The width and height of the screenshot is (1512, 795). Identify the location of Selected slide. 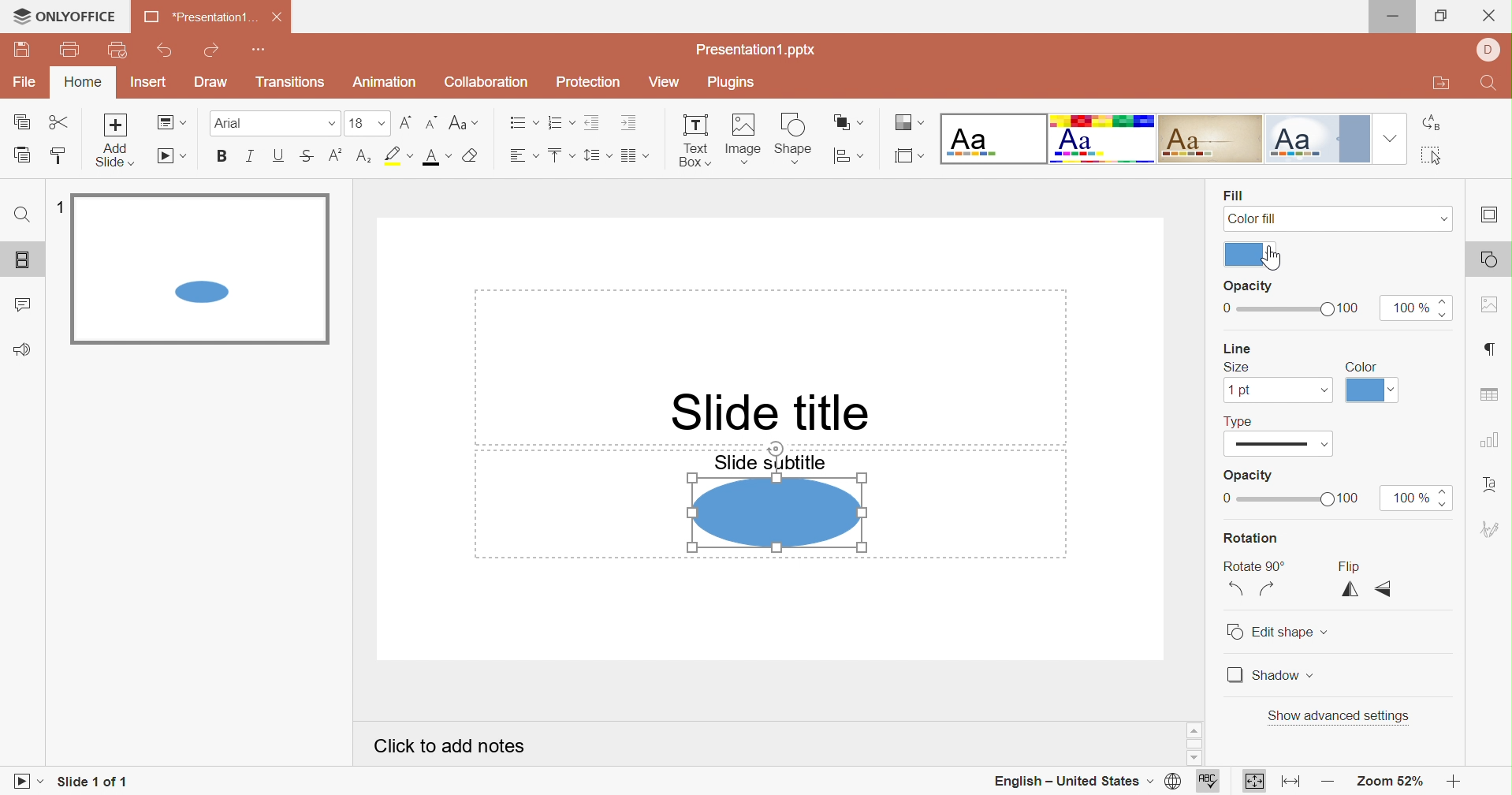
(200, 269).